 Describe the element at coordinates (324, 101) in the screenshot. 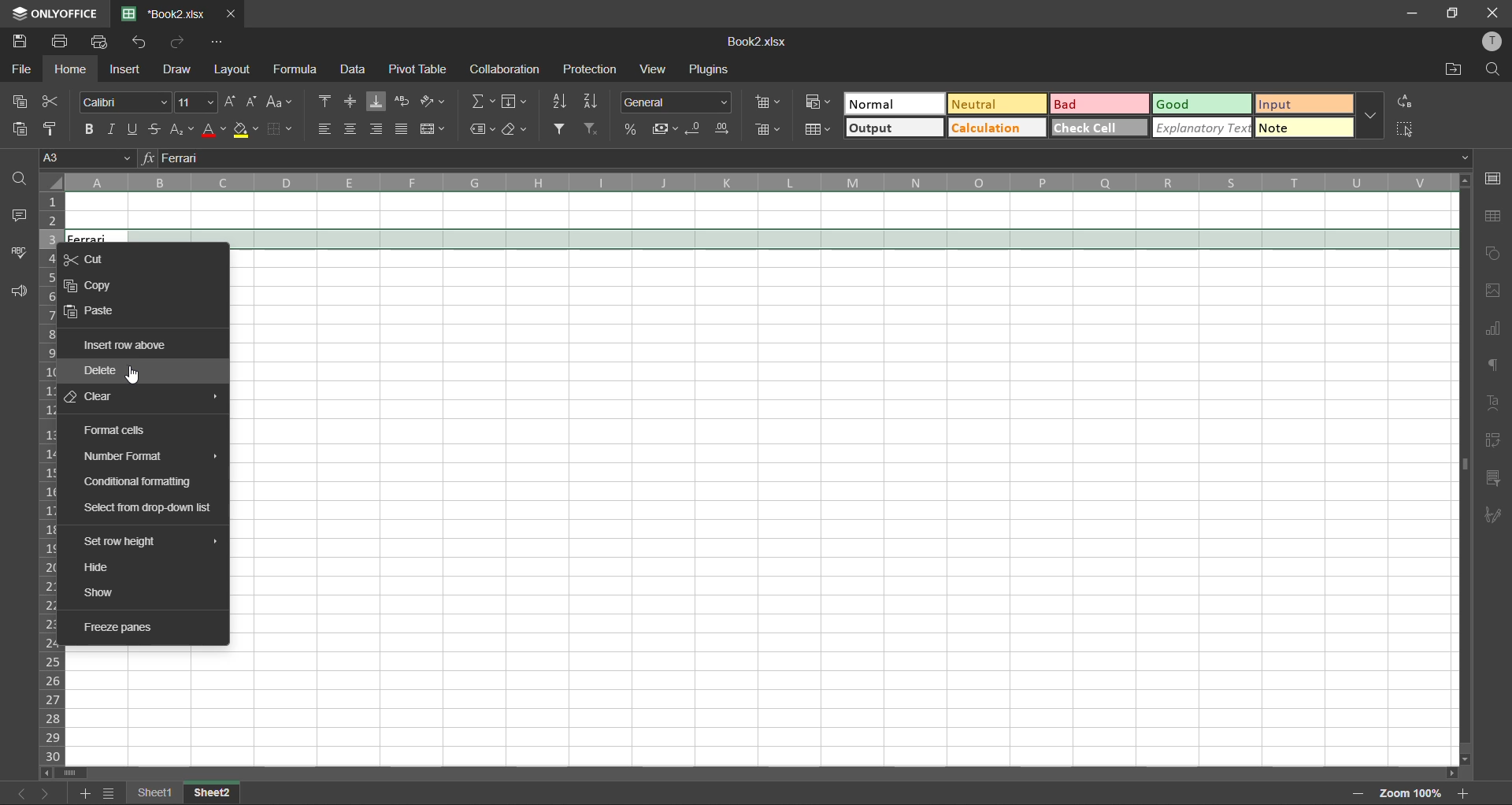

I see `align top` at that location.